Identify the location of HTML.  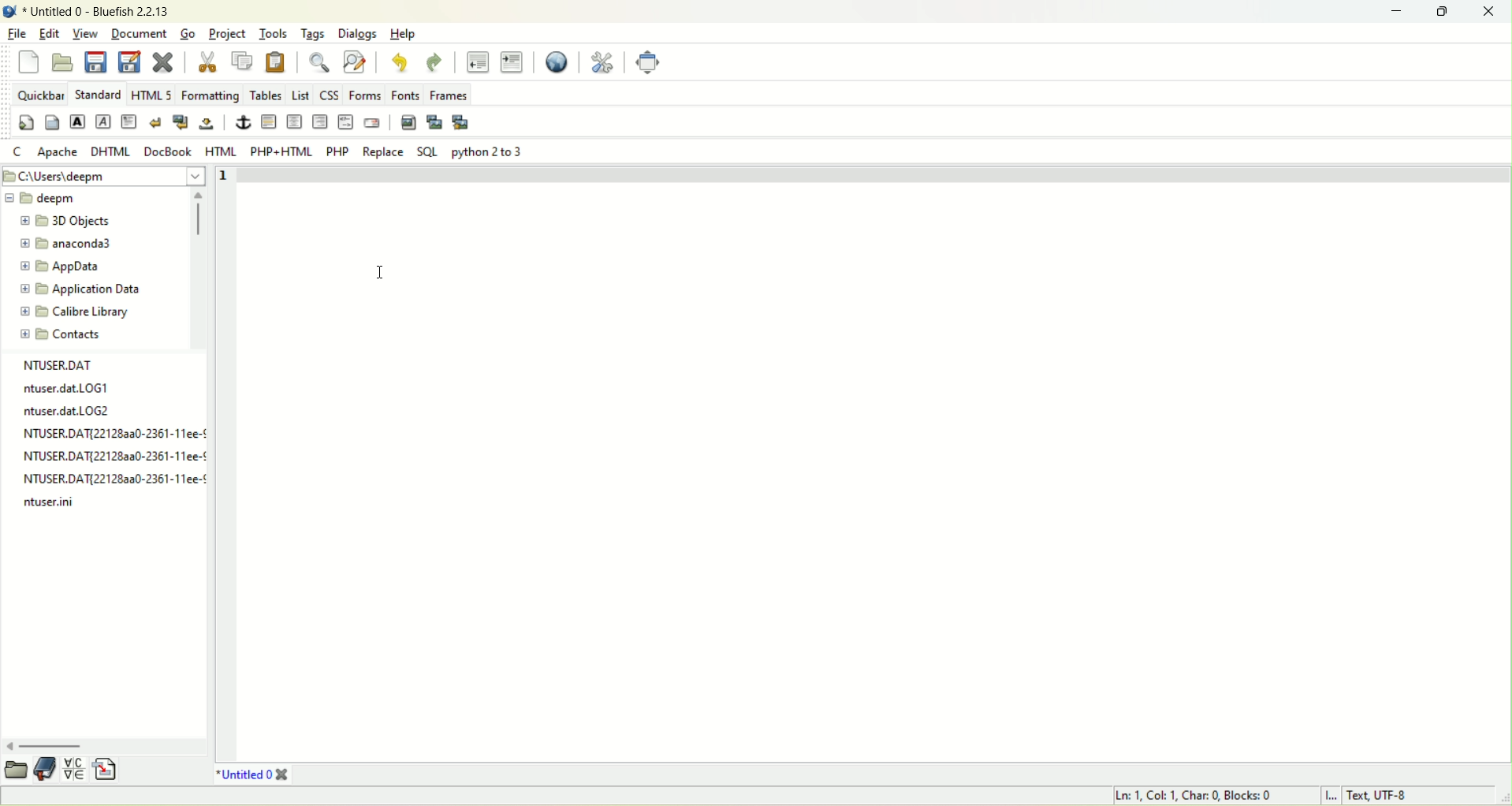
(222, 152).